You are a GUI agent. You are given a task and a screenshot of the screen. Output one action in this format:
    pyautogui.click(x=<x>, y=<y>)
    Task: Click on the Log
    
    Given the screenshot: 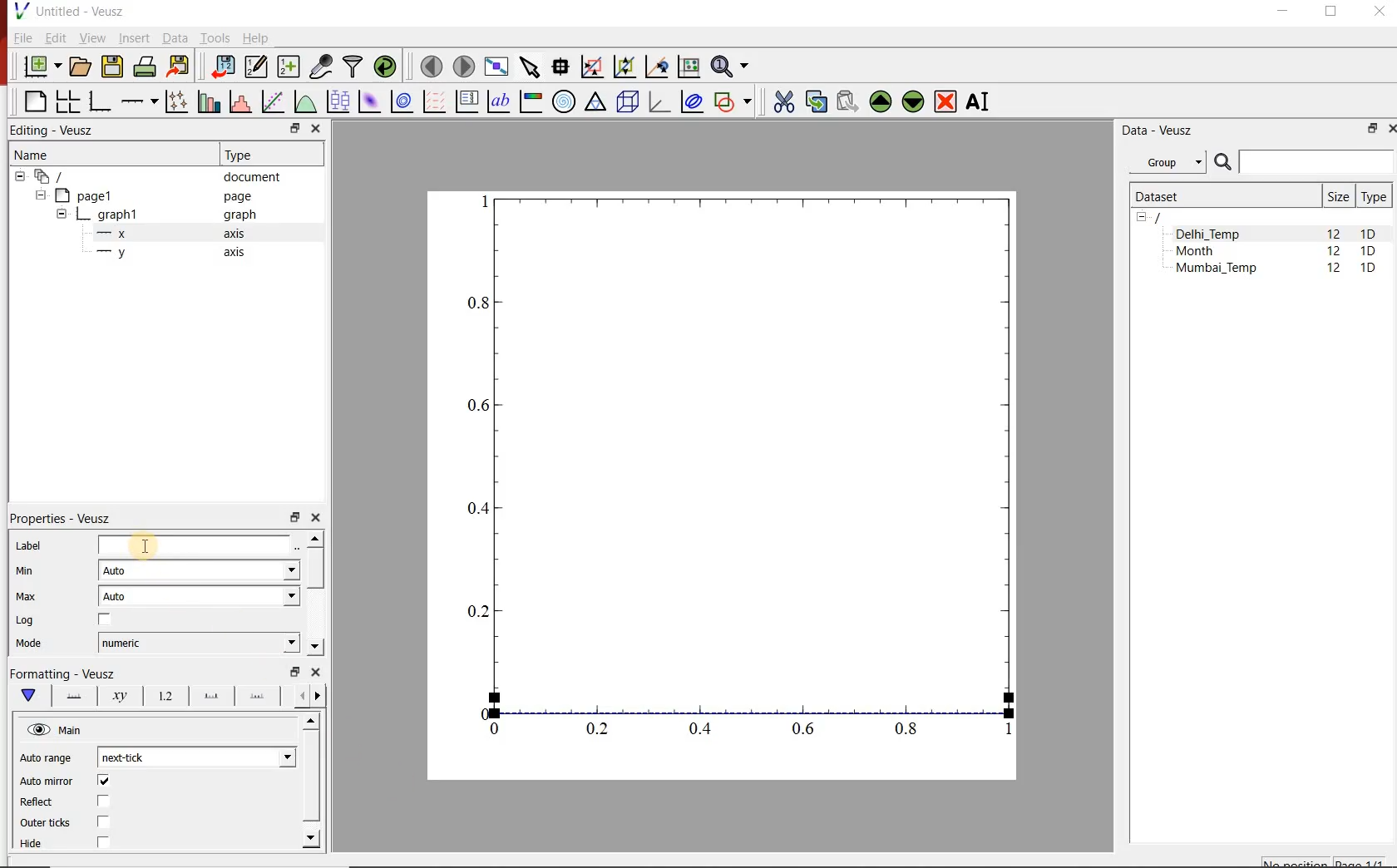 What is the action you would take?
    pyautogui.click(x=26, y=620)
    